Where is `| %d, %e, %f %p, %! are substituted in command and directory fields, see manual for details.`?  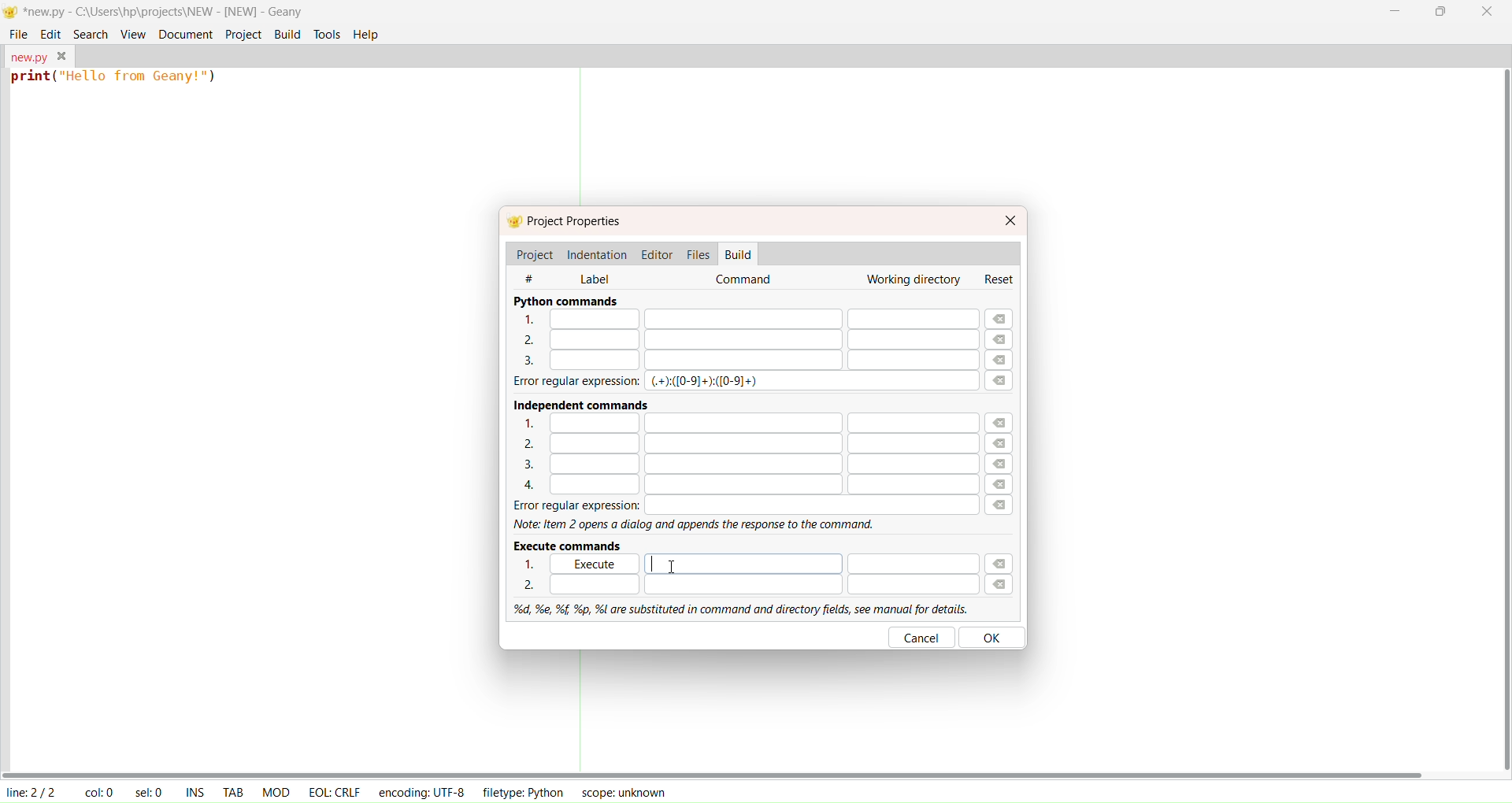
| %d, %e, %f %p, %! are substituted in command and directory fields, see manual for details. is located at coordinates (736, 607).